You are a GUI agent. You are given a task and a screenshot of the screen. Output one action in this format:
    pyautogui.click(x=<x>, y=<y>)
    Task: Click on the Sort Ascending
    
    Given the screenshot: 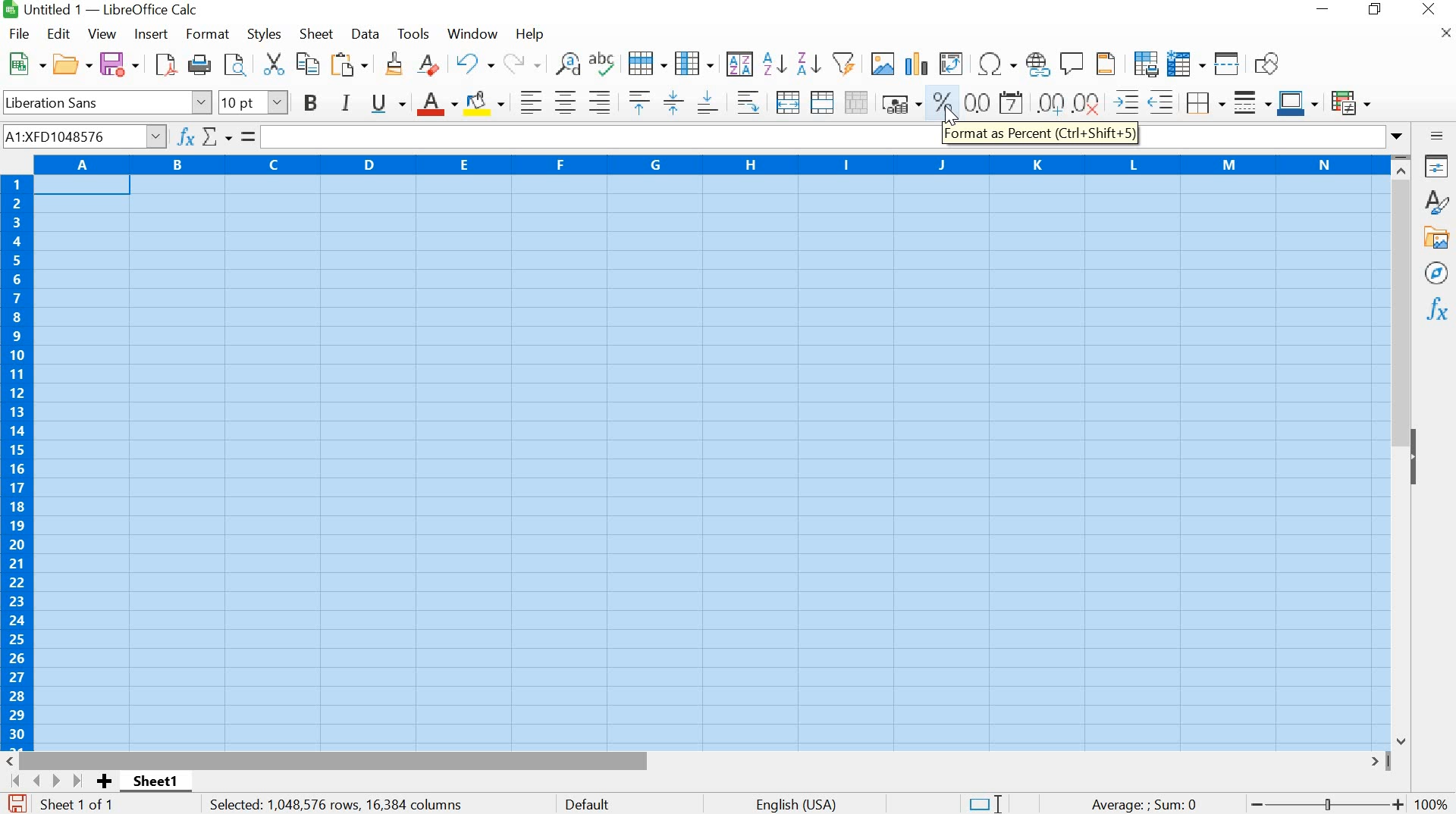 What is the action you would take?
    pyautogui.click(x=773, y=66)
    